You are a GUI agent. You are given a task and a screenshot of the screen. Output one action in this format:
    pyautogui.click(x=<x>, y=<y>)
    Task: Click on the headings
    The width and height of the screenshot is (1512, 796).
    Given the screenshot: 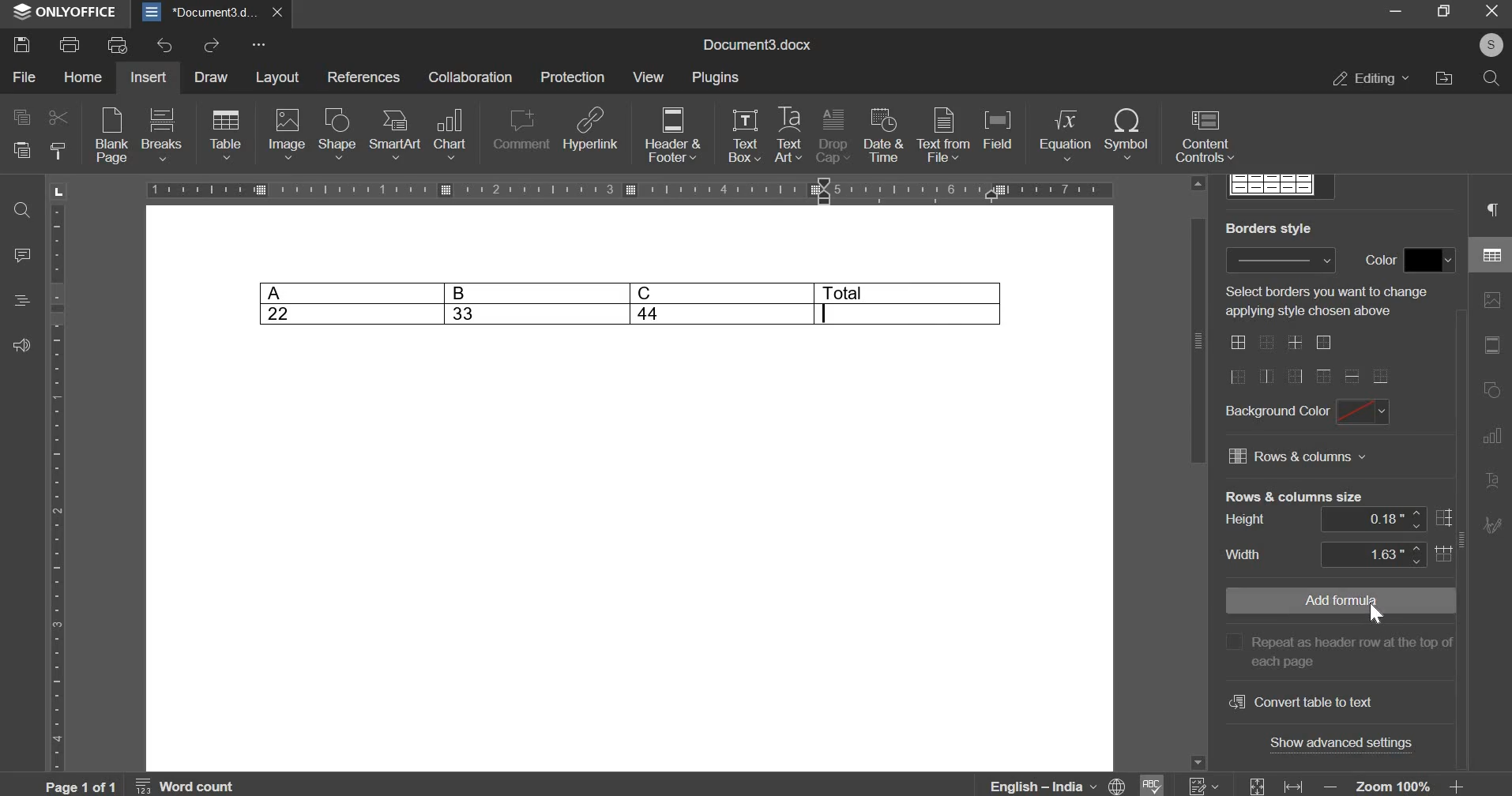 What is the action you would take?
    pyautogui.click(x=24, y=301)
    